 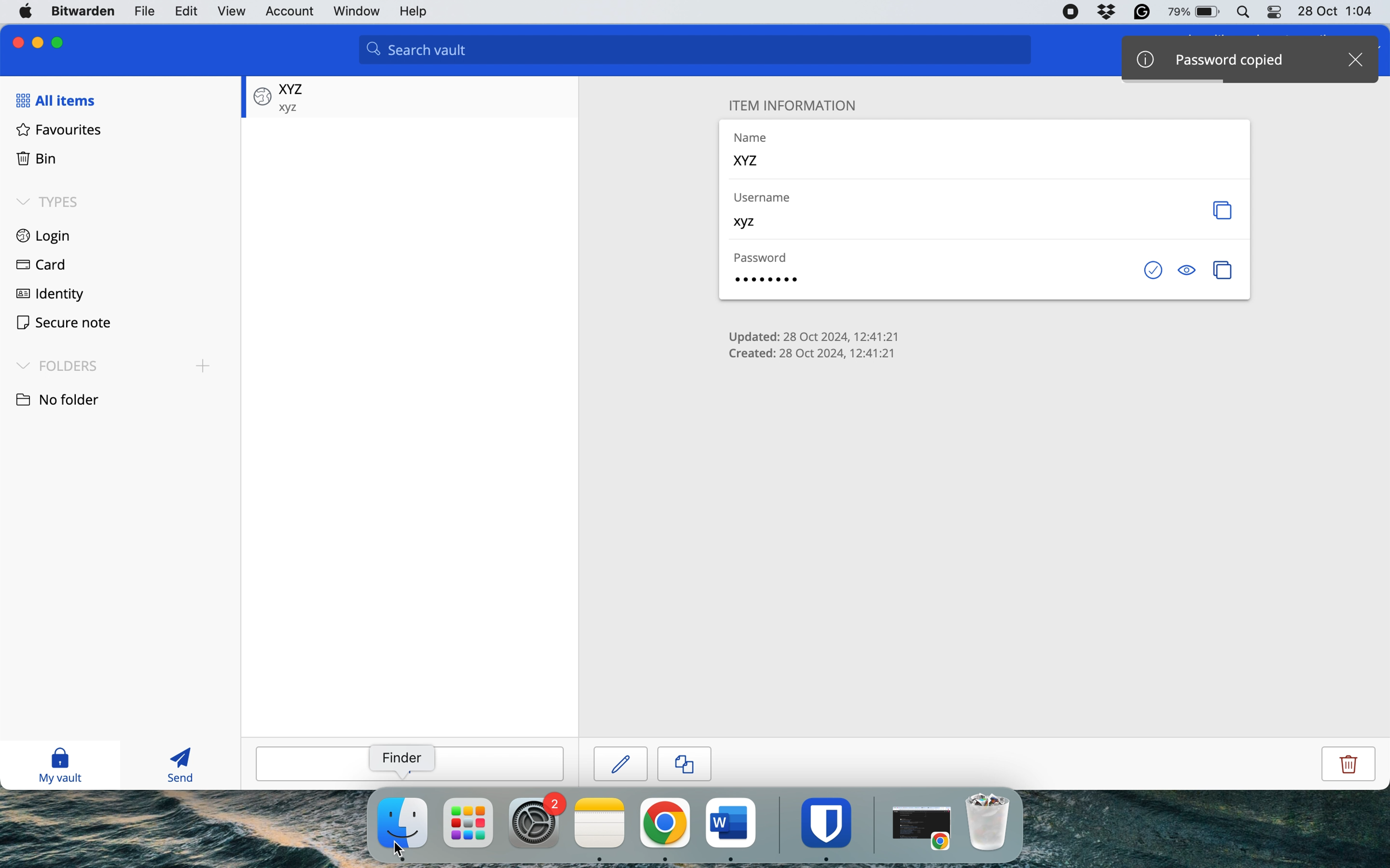 What do you see at coordinates (400, 823) in the screenshot?
I see `finder` at bounding box center [400, 823].